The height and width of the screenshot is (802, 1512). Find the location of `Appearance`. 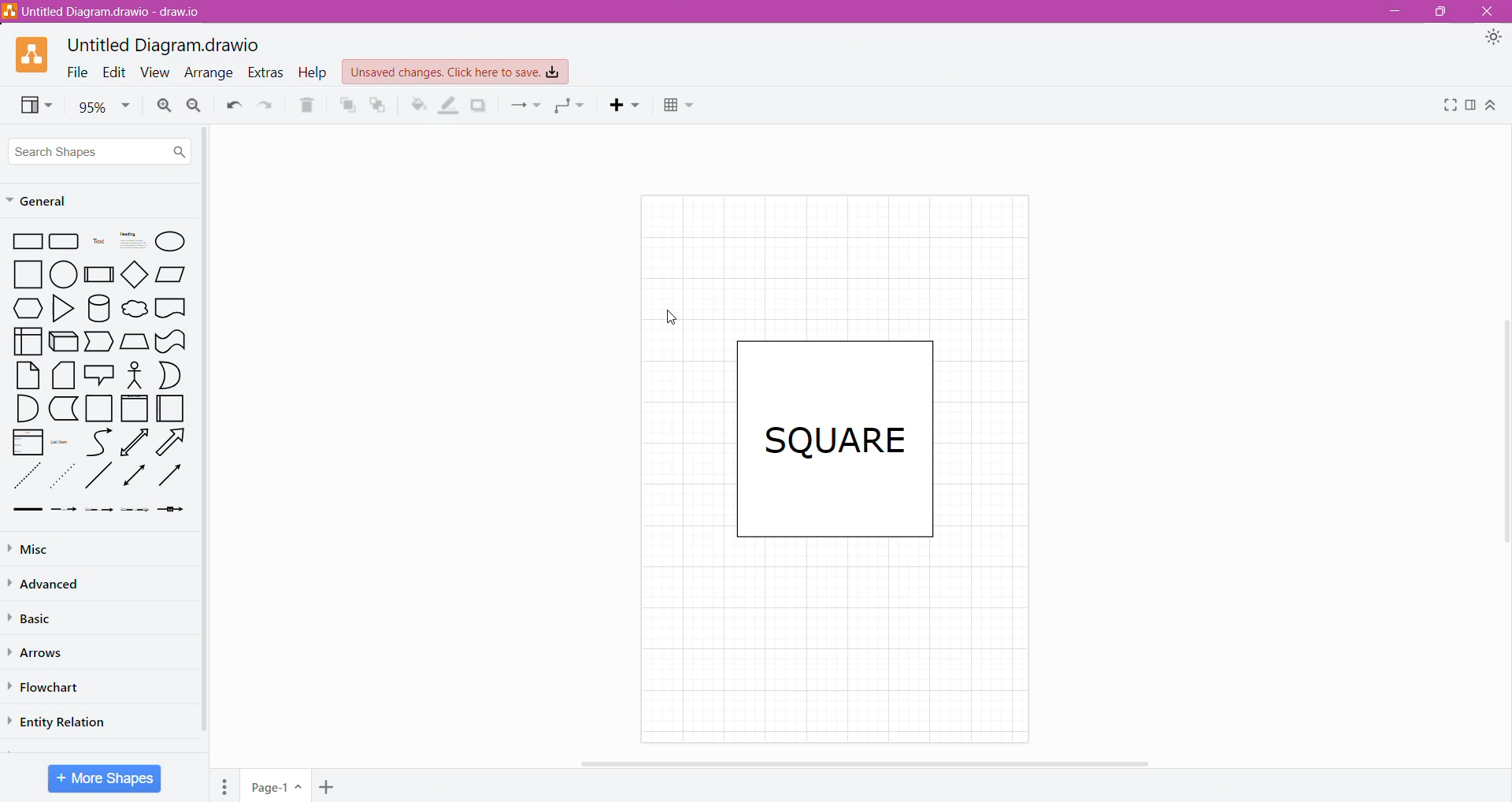

Appearance is located at coordinates (1492, 39).